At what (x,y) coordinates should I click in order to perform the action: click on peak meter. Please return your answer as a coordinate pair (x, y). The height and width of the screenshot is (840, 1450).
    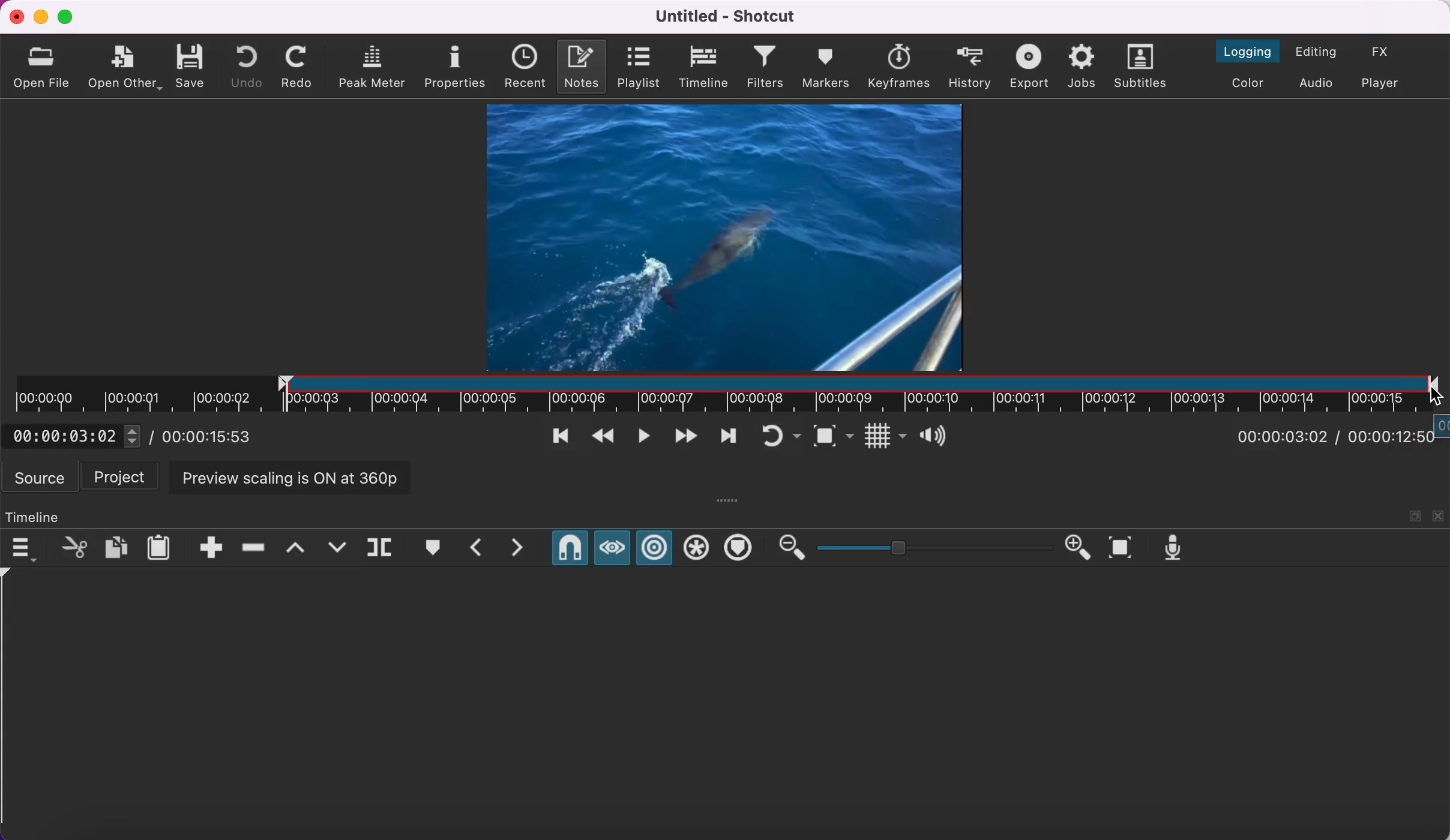
    Looking at the image, I should click on (372, 66).